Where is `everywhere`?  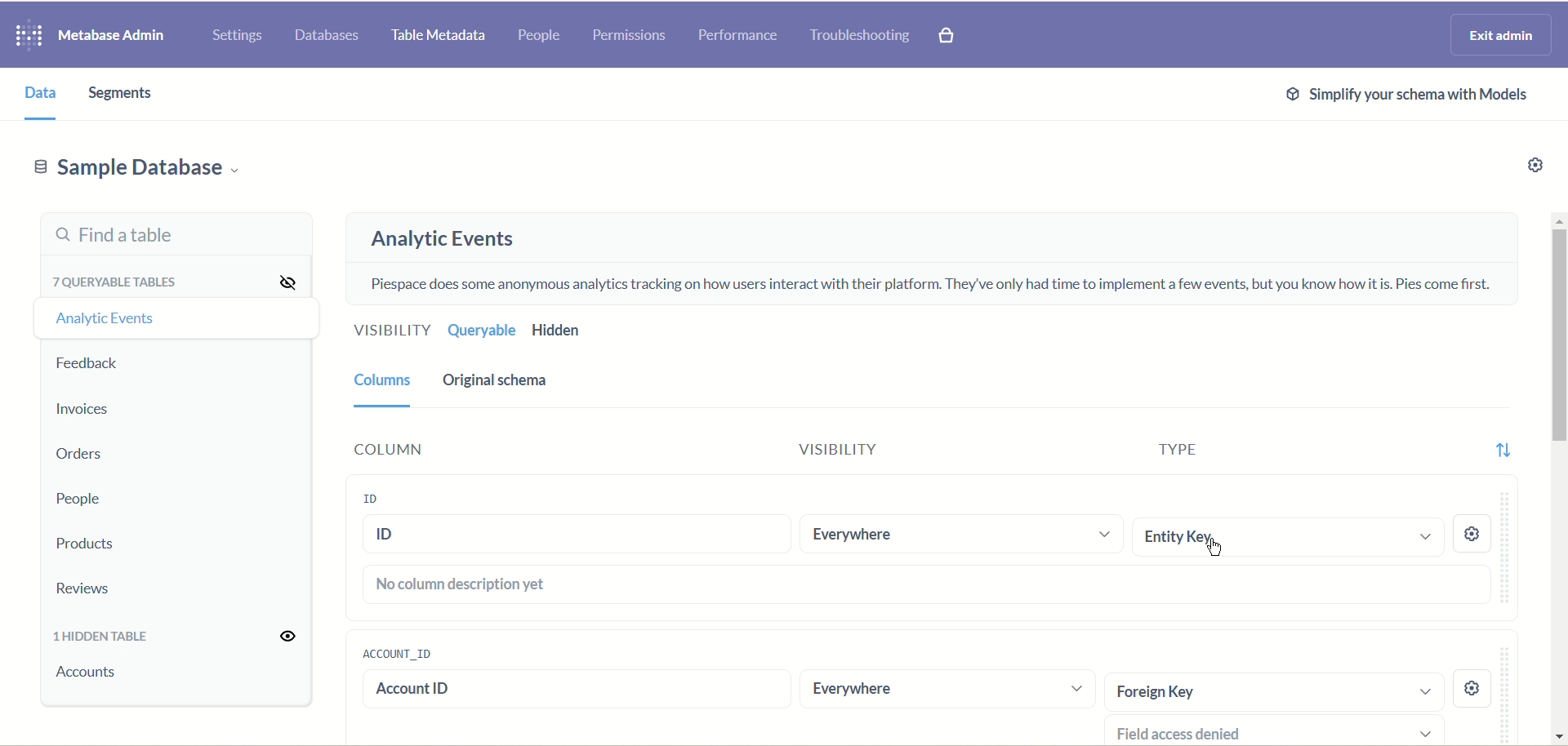
everywhere is located at coordinates (963, 534).